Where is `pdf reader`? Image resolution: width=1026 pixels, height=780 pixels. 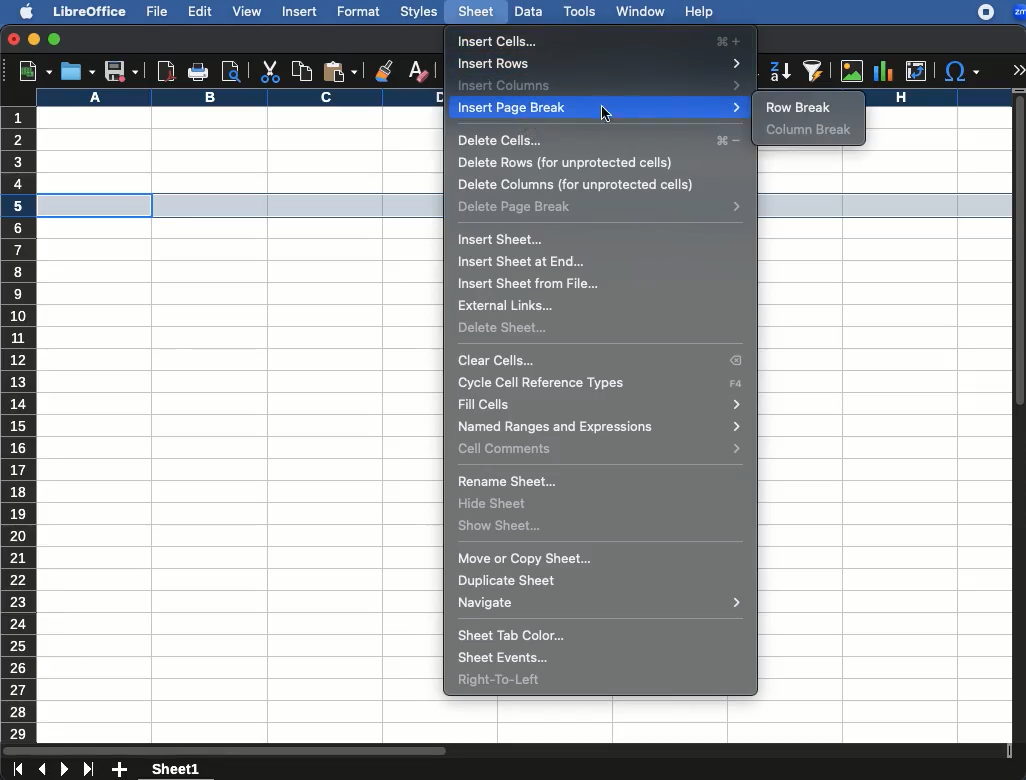
pdf reader is located at coordinates (165, 71).